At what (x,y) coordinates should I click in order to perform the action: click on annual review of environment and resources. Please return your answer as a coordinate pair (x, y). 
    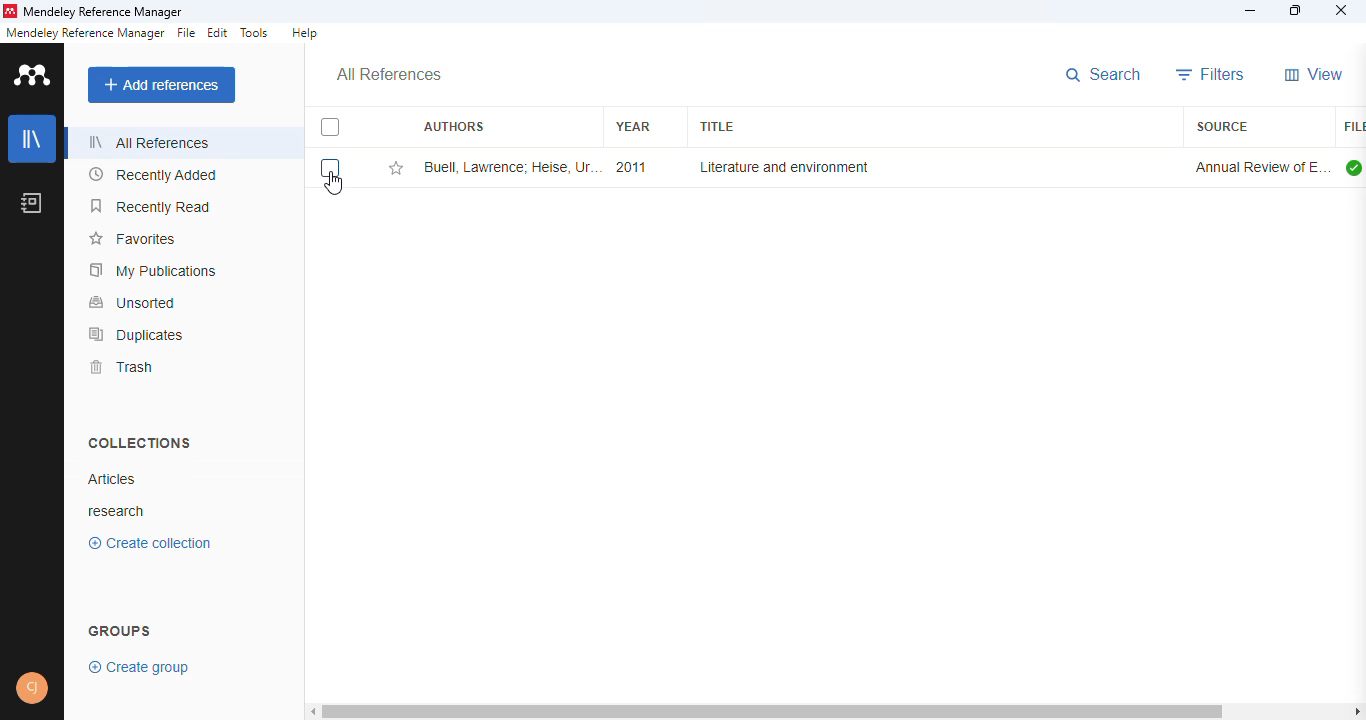
    Looking at the image, I should click on (1261, 167).